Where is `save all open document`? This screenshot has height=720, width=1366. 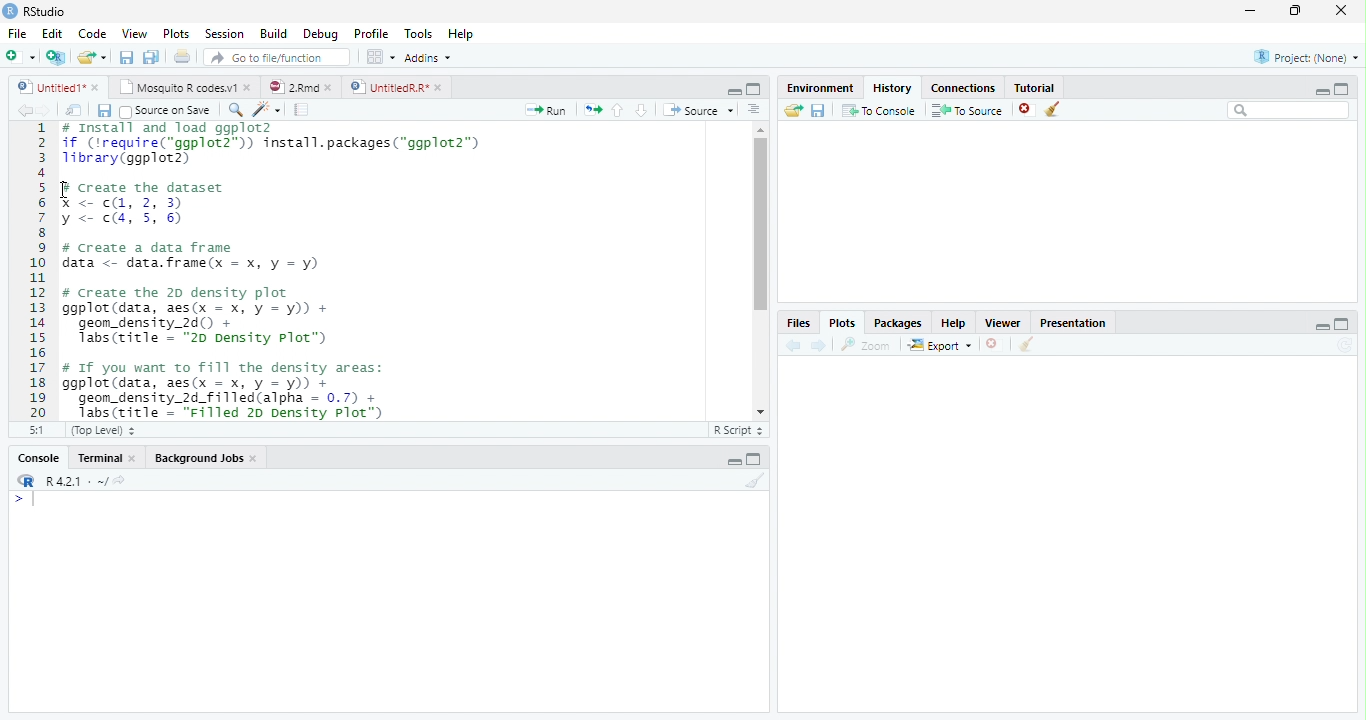 save all open document is located at coordinates (151, 56).